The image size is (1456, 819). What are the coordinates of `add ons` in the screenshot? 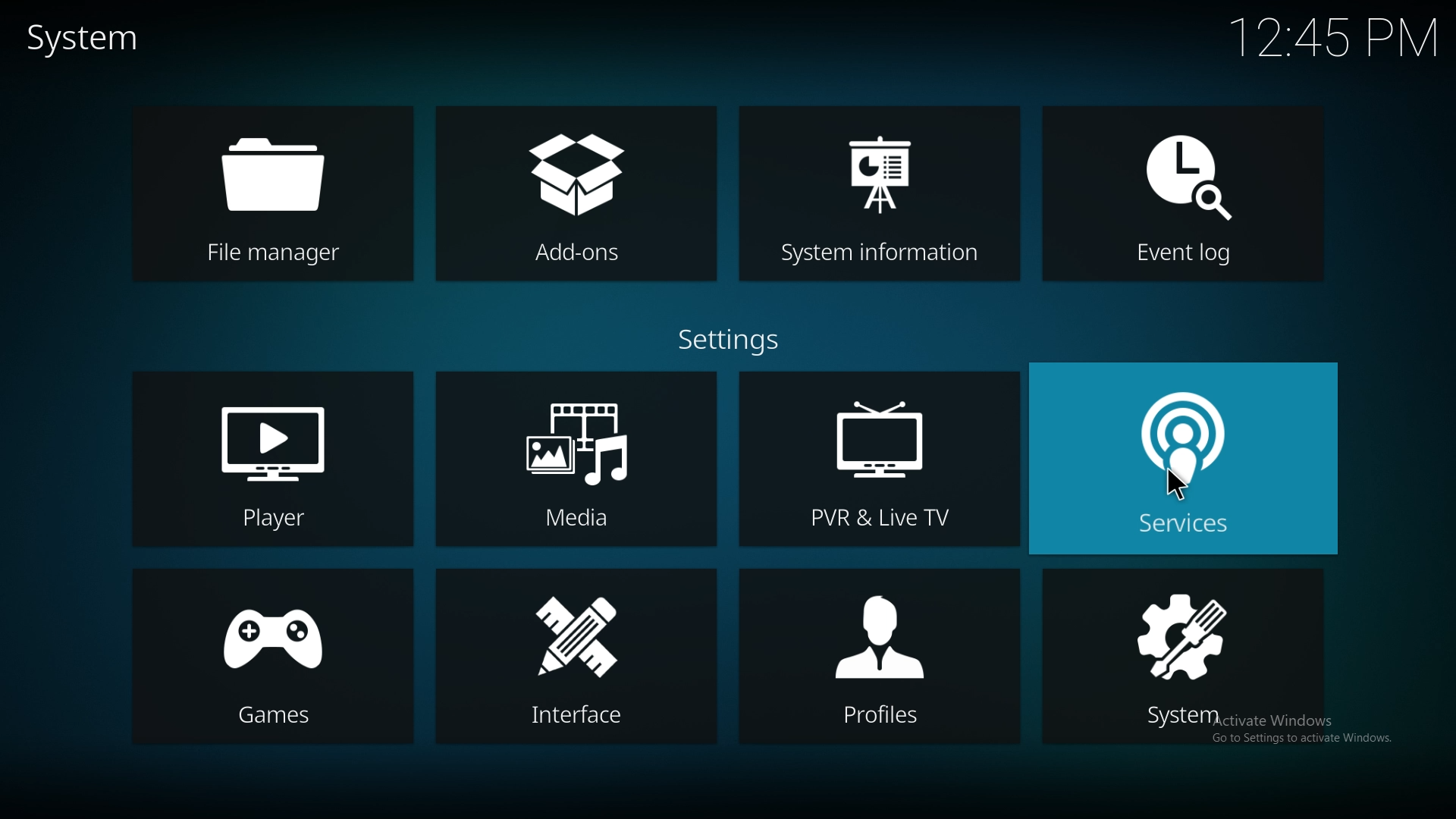 It's located at (575, 191).